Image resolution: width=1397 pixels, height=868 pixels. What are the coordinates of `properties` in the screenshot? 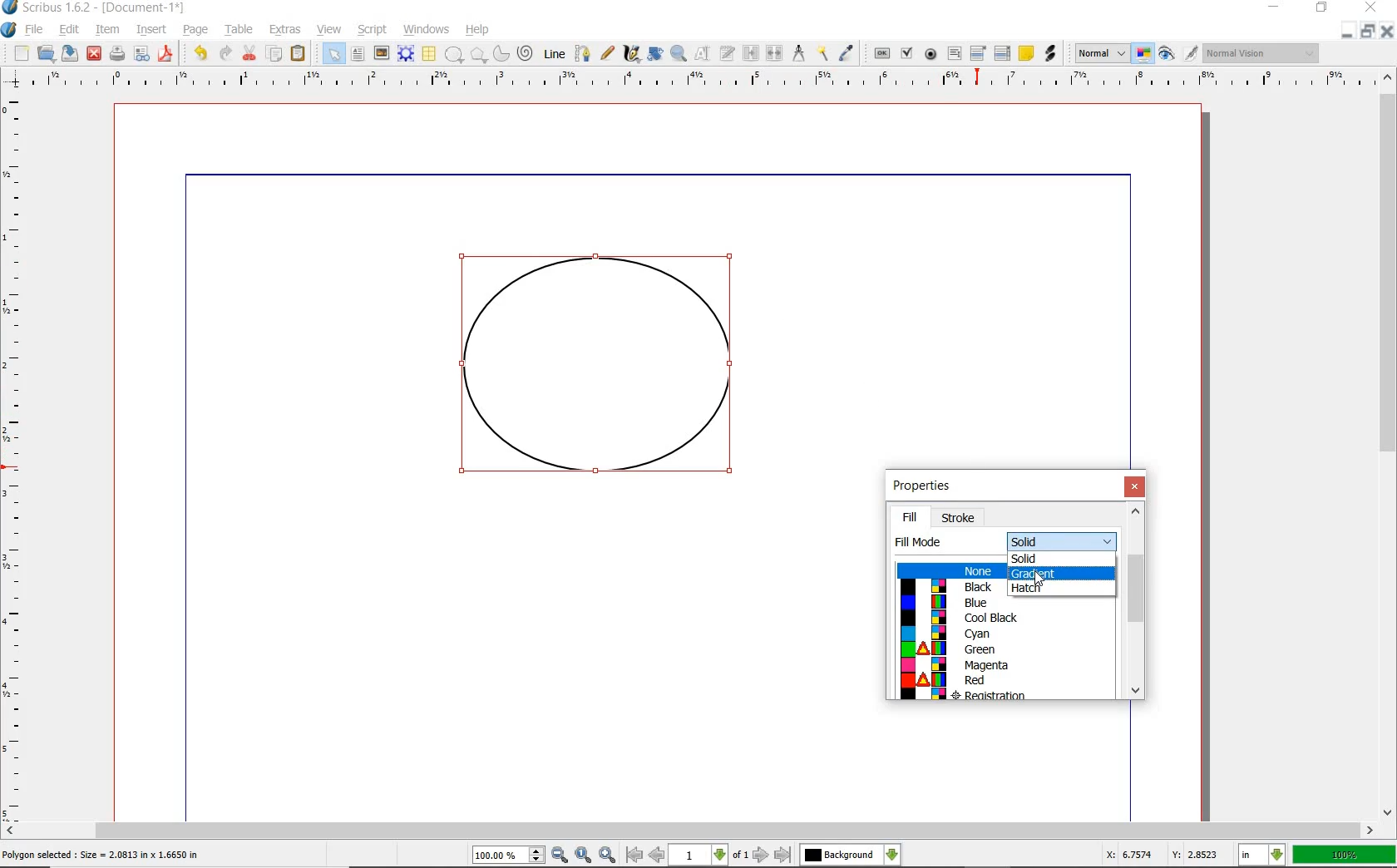 It's located at (938, 486).